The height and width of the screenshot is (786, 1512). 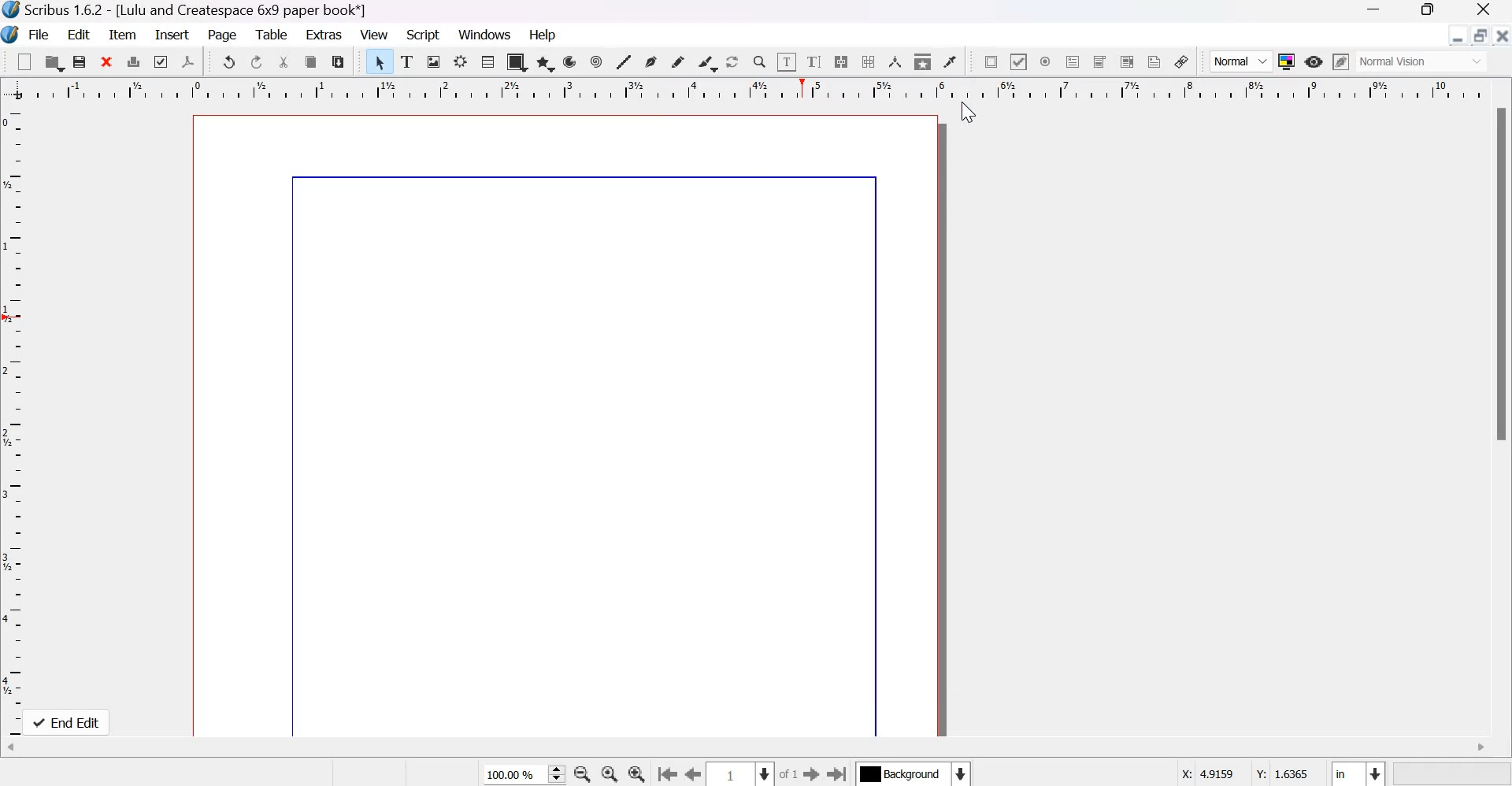 What do you see at coordinates (229, 61) in the screenshot?
I see `undo` at bounding box center [229, 61].